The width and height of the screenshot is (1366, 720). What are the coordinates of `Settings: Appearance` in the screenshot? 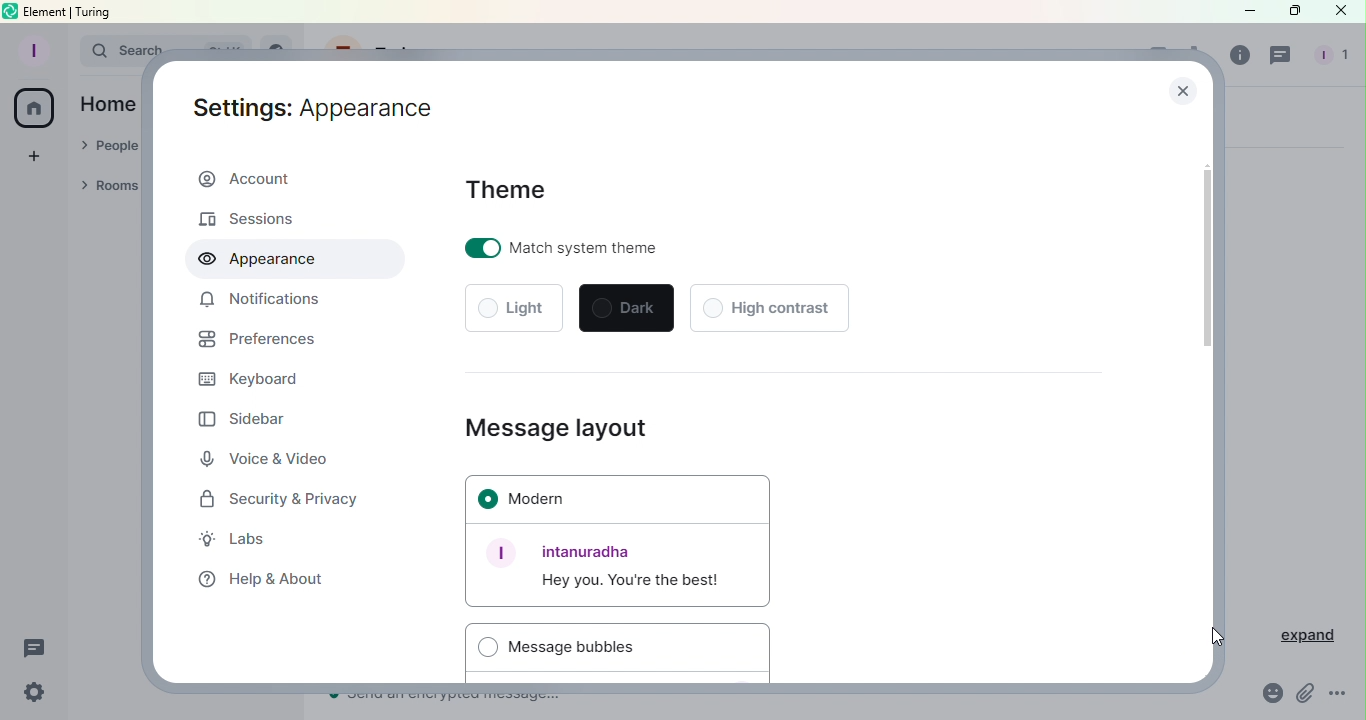 It's located at (314, 104).